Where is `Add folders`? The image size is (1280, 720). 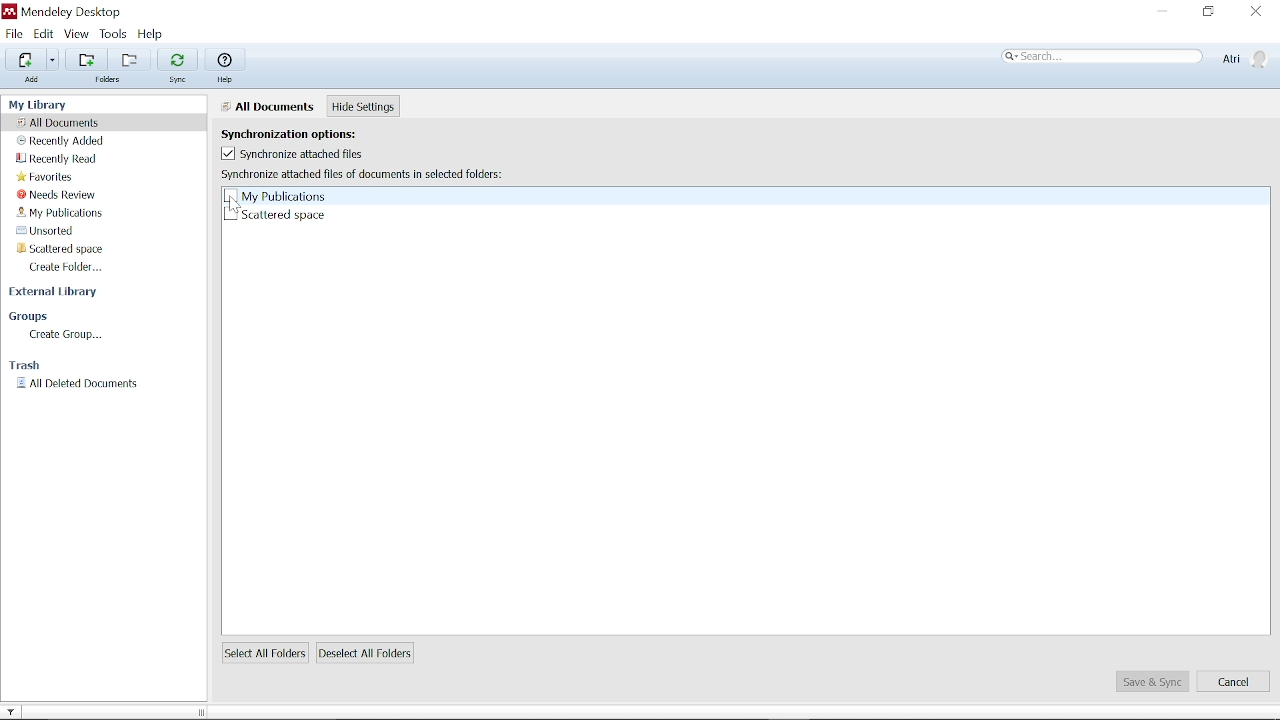
Add folders is located at coordinates (126, 60).